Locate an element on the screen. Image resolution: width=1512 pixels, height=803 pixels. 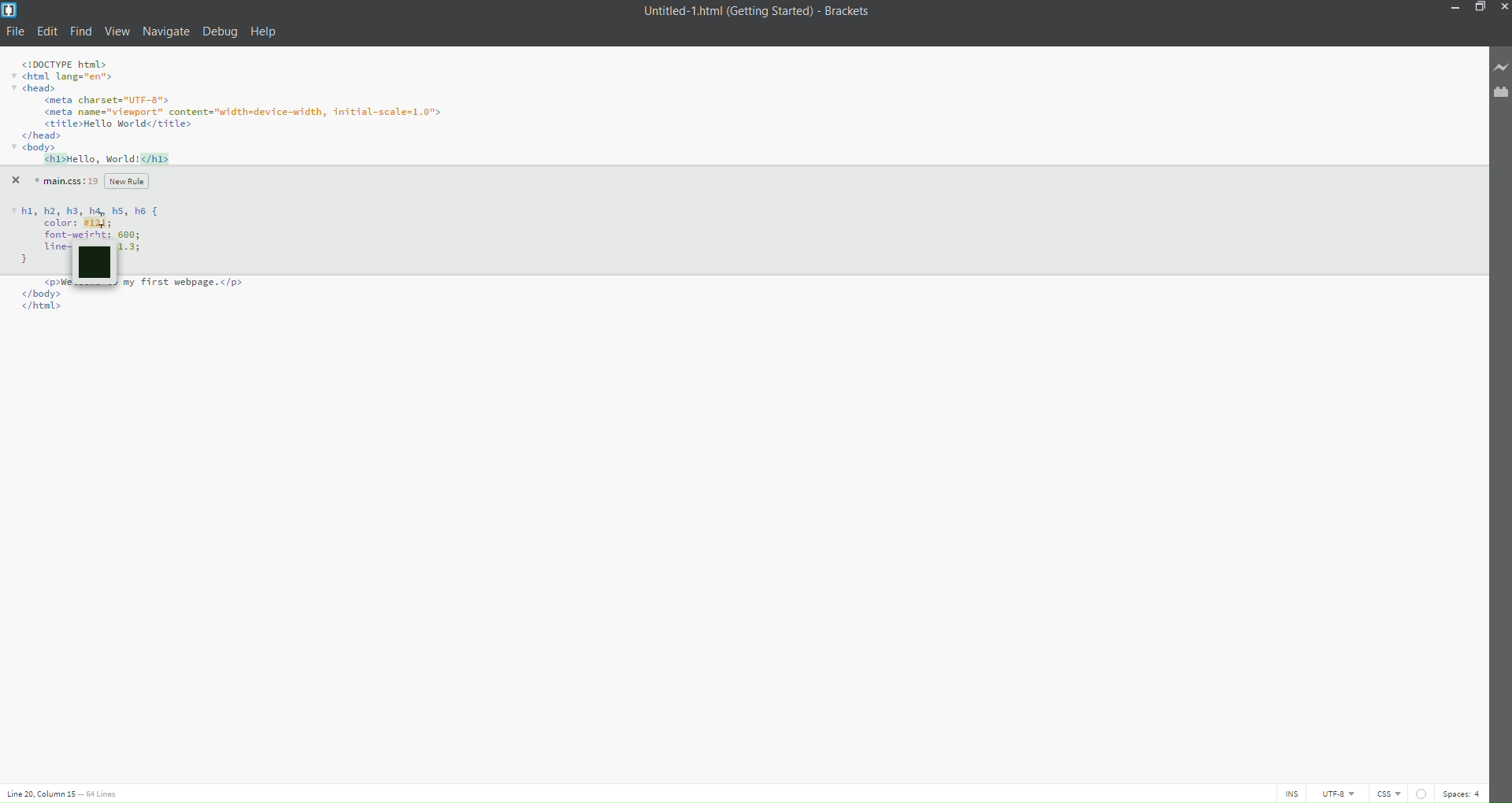
code is located at coordinates (238, 113).